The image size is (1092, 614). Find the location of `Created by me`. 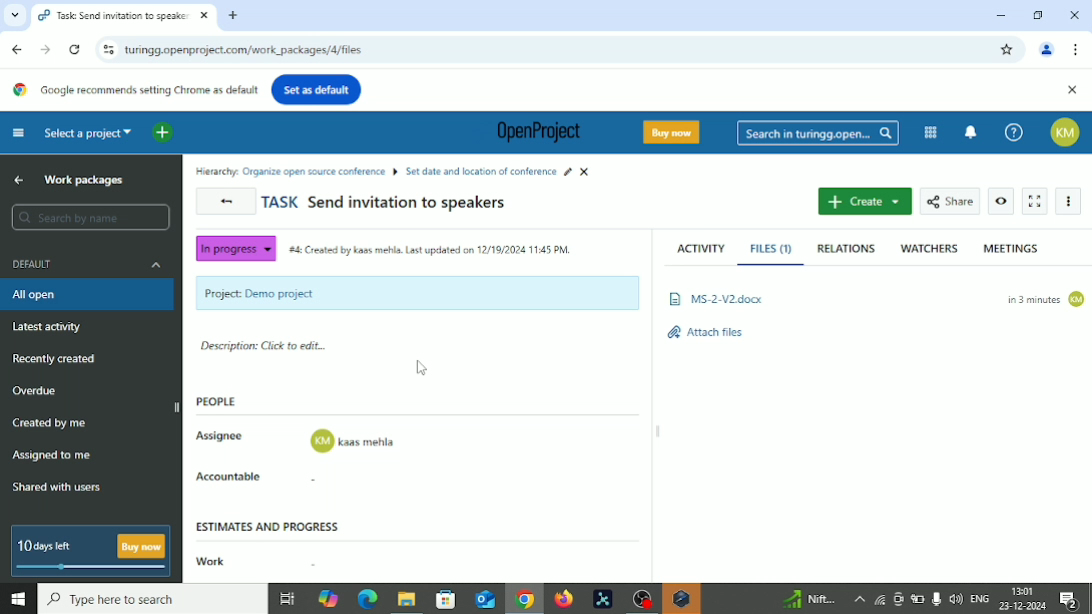

Created by me is located at coordinates (52, 425).